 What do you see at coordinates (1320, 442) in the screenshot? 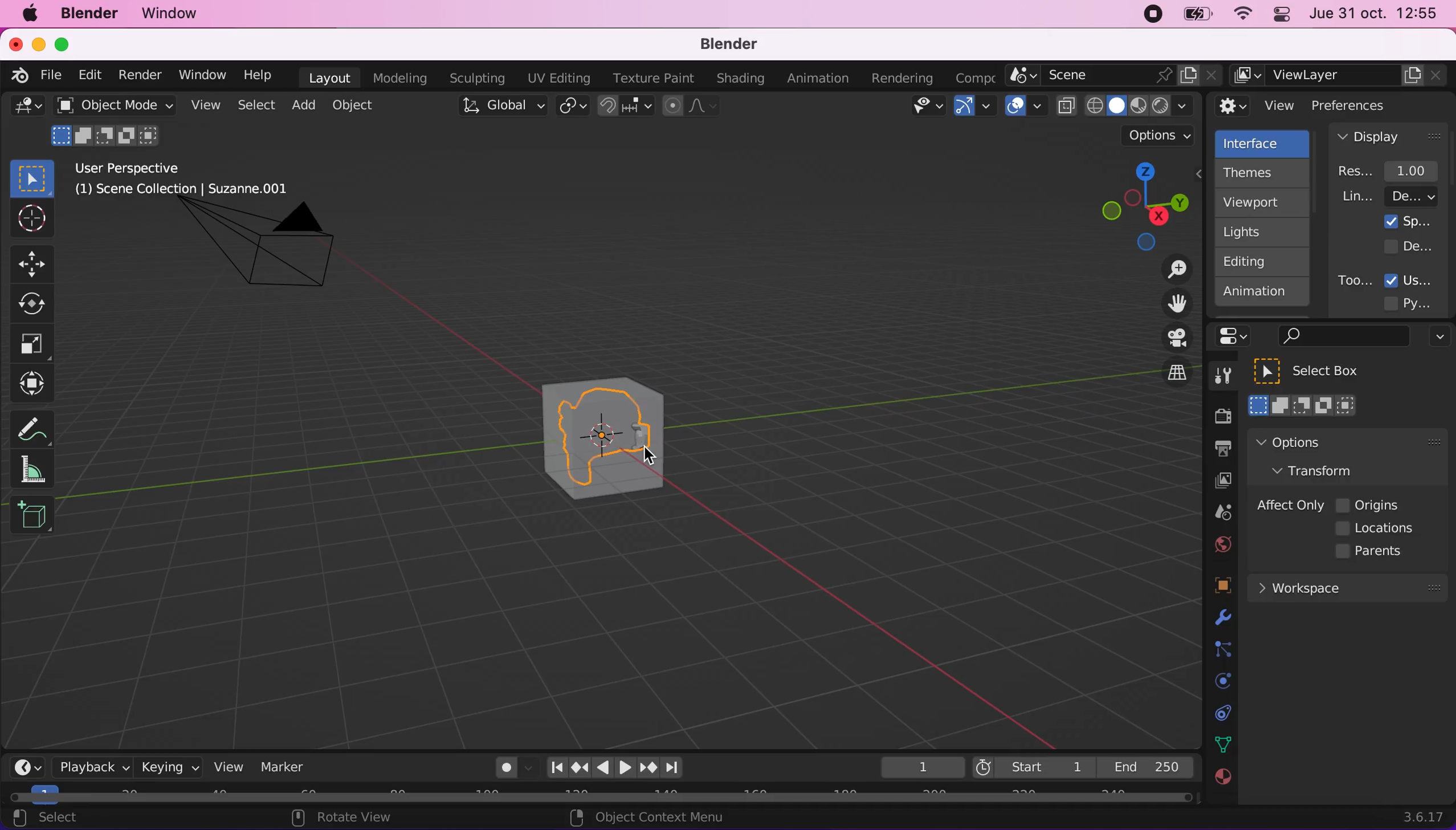
I see `options` at bounding box center [1320, 442].